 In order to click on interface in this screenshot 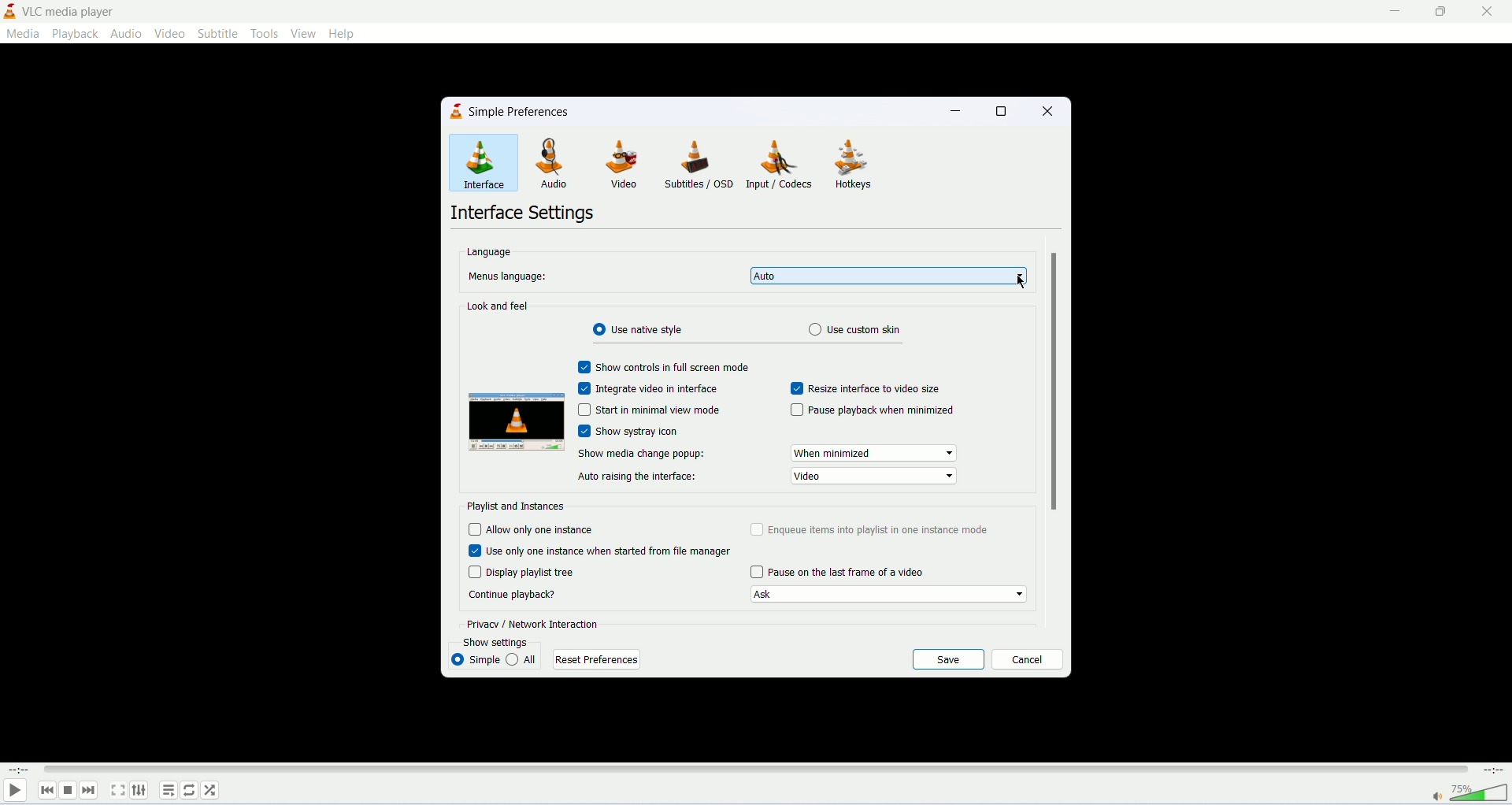, I will do `click(484, 162)`.